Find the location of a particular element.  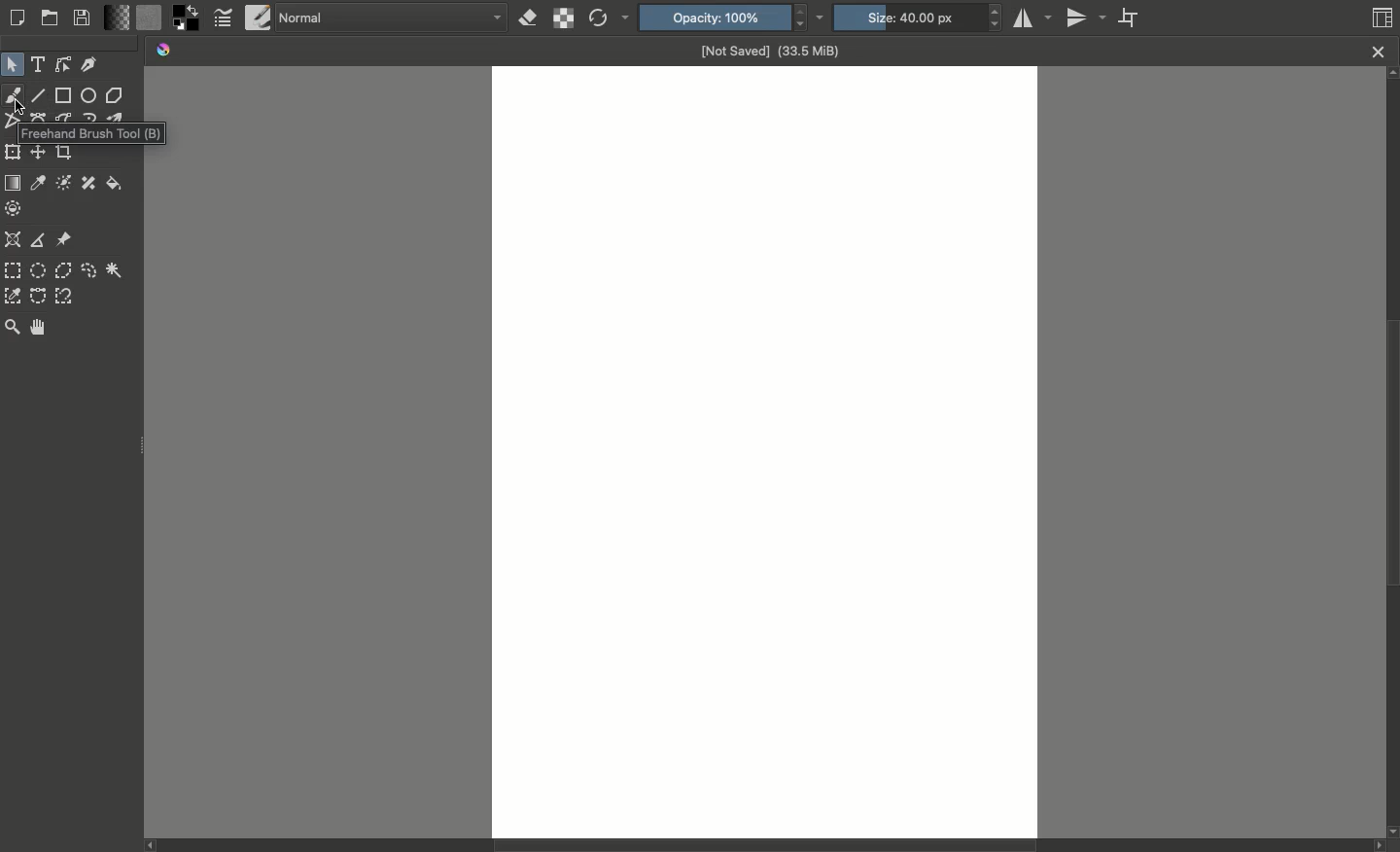

Scroll bar is located at coordinates (1391, 454).